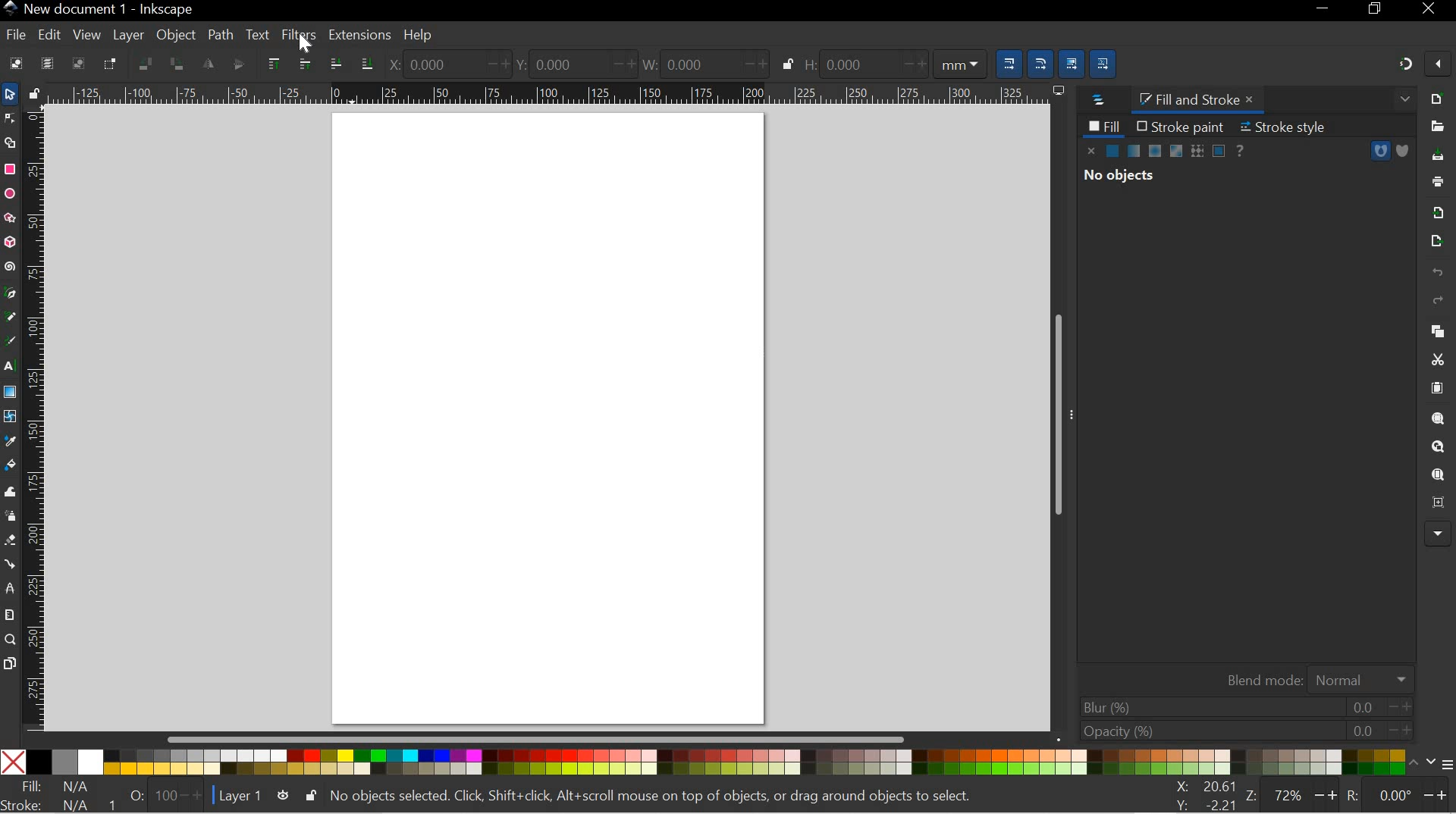 Image resolution: width=1456 pixels, height=814 pixels. I want to click on SCALING RECTANGLES, so click(1041, 59).